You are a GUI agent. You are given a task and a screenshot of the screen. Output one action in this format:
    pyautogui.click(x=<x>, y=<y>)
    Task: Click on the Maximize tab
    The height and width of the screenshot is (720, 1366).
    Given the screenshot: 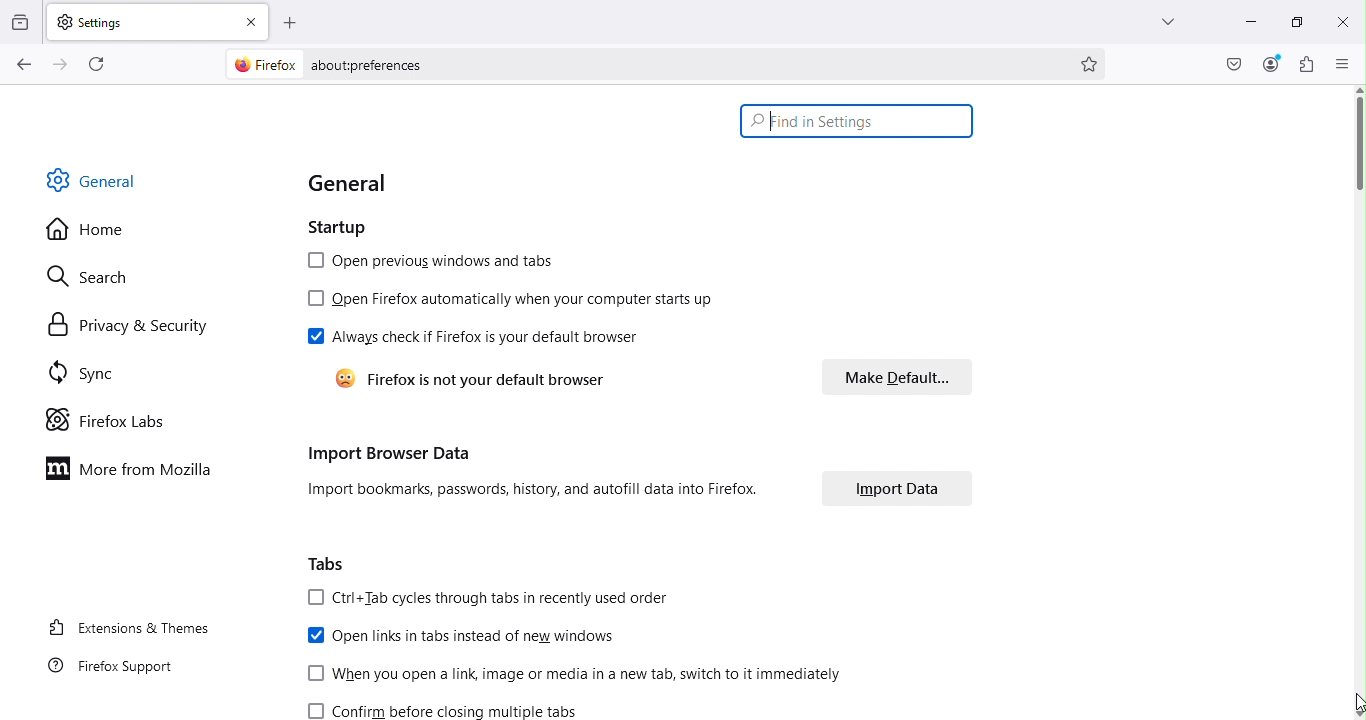 What is the action you would take?
    pyautogui.click(x=1293, y=19)
    